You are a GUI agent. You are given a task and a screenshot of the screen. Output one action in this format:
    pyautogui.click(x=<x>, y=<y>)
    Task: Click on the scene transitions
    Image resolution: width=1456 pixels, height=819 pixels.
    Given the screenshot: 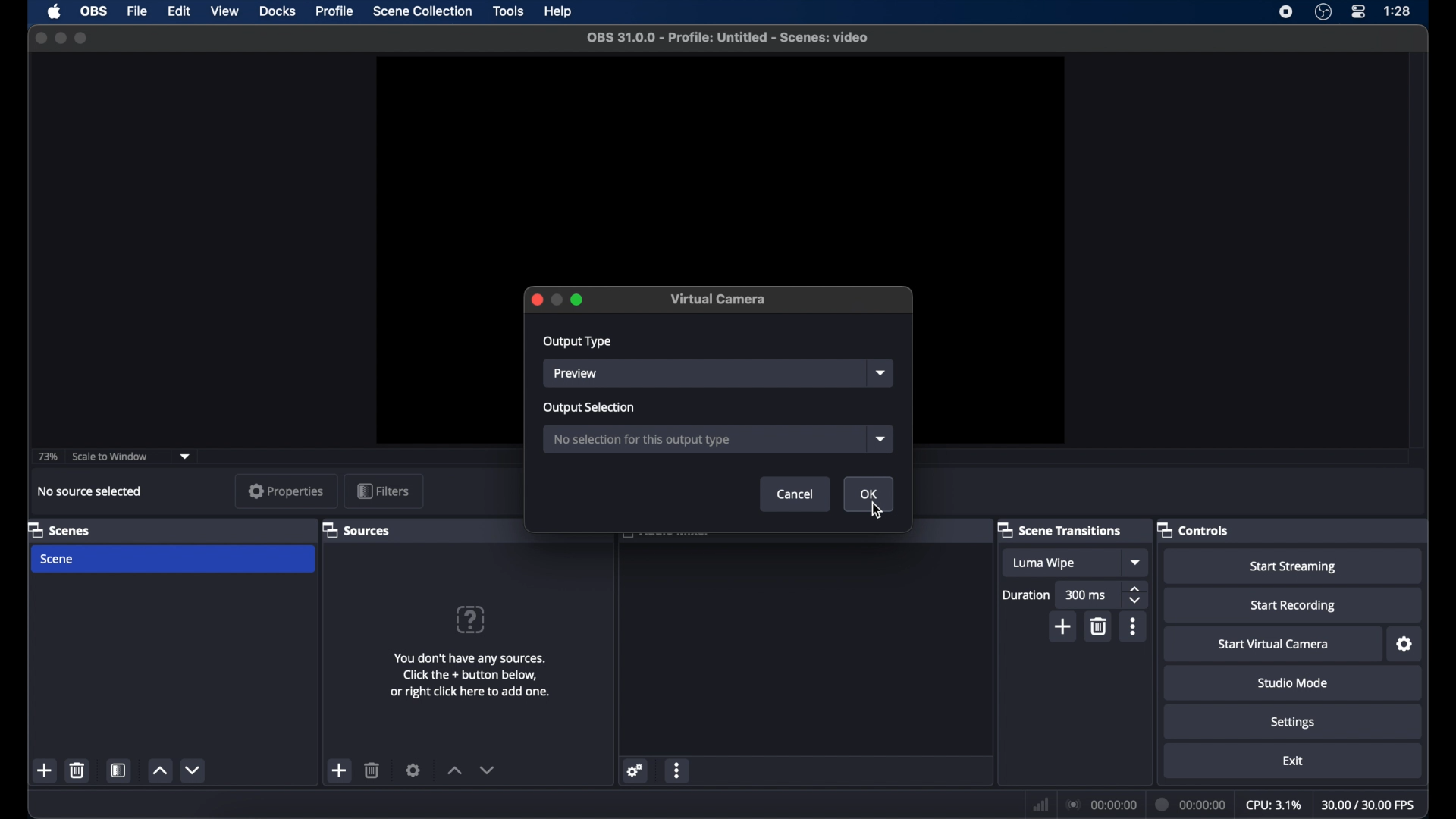 What is the action you would take?
    pyautogui.click(x=1063, y=531)
    